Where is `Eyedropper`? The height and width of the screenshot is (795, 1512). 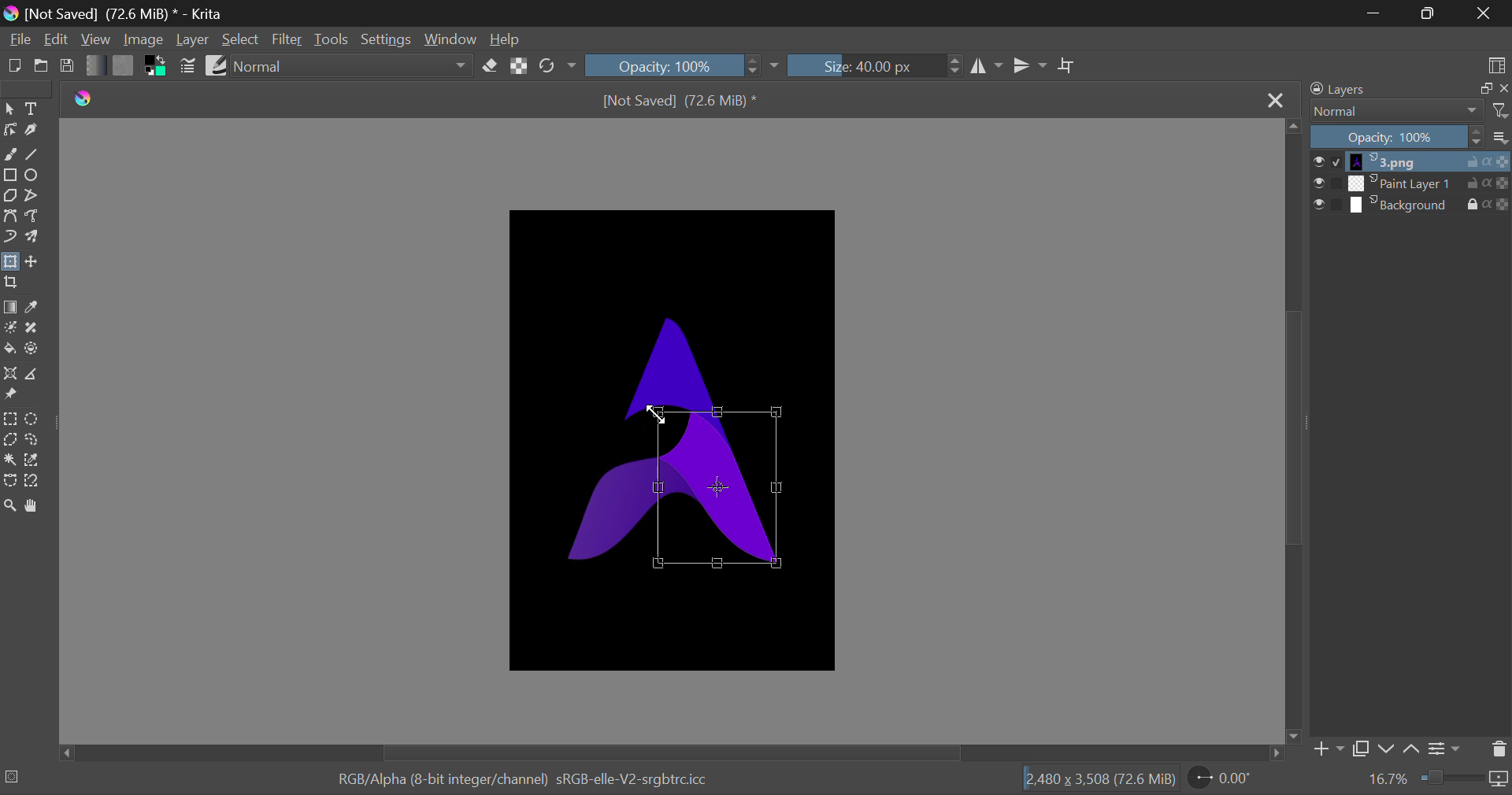
Eyedropper is located at coordinates (36, 309).